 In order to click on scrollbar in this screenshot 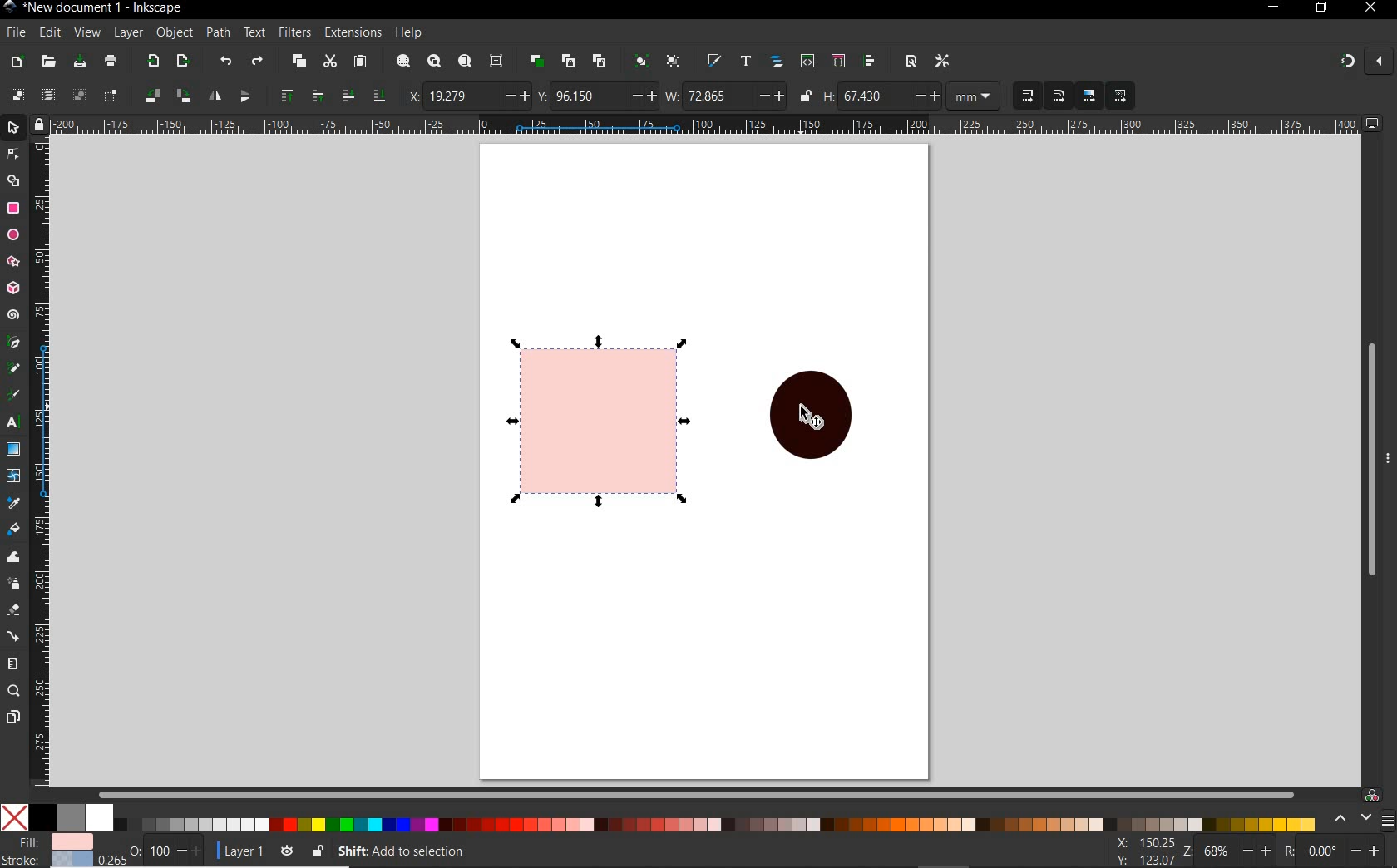, I will do `click(695, 792)`.